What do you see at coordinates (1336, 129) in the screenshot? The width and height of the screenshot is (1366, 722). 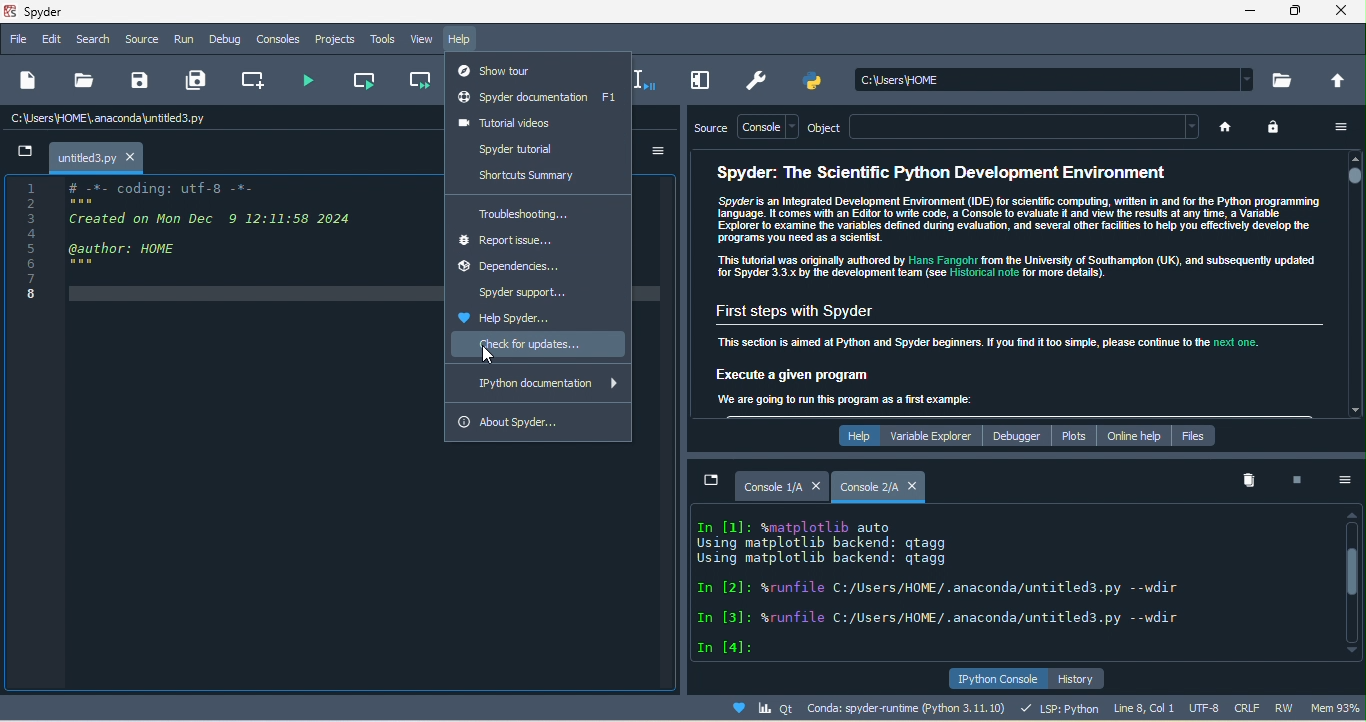 I see `option` at bounding box center [1336, 129].